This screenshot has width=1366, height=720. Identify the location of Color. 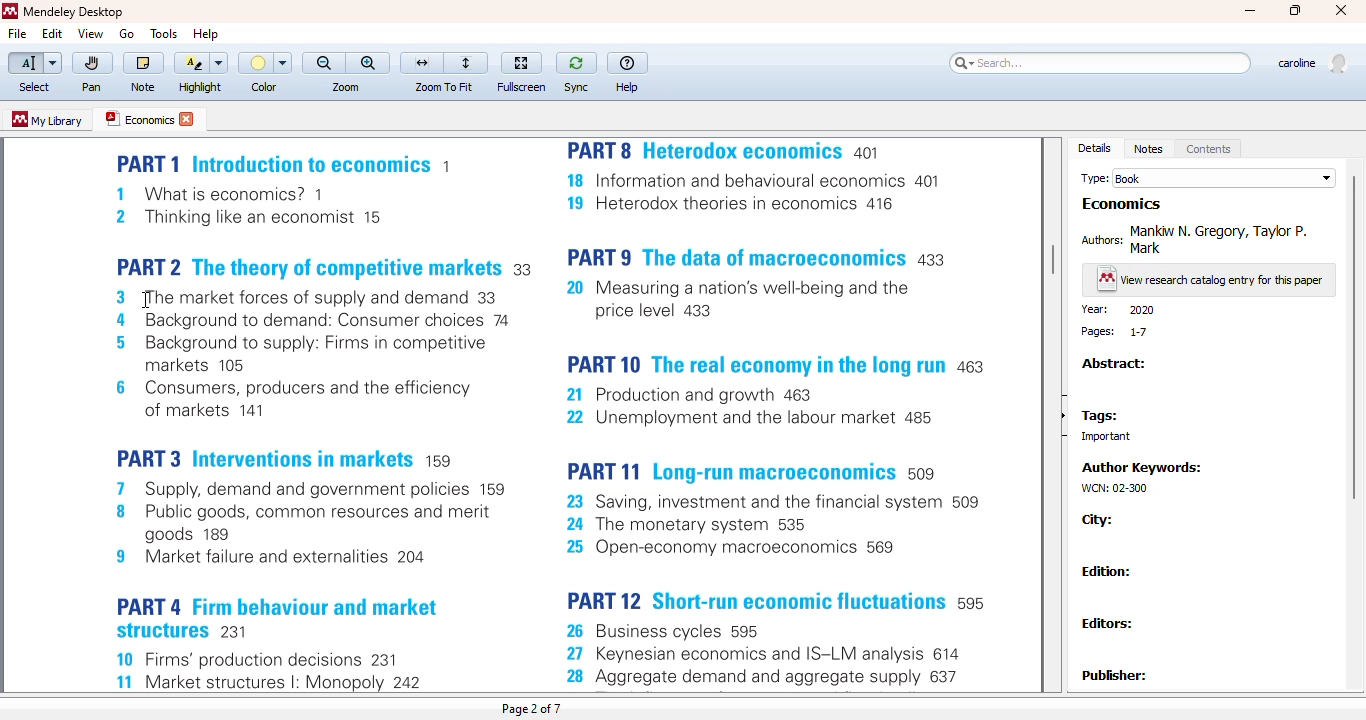
(267, 88).